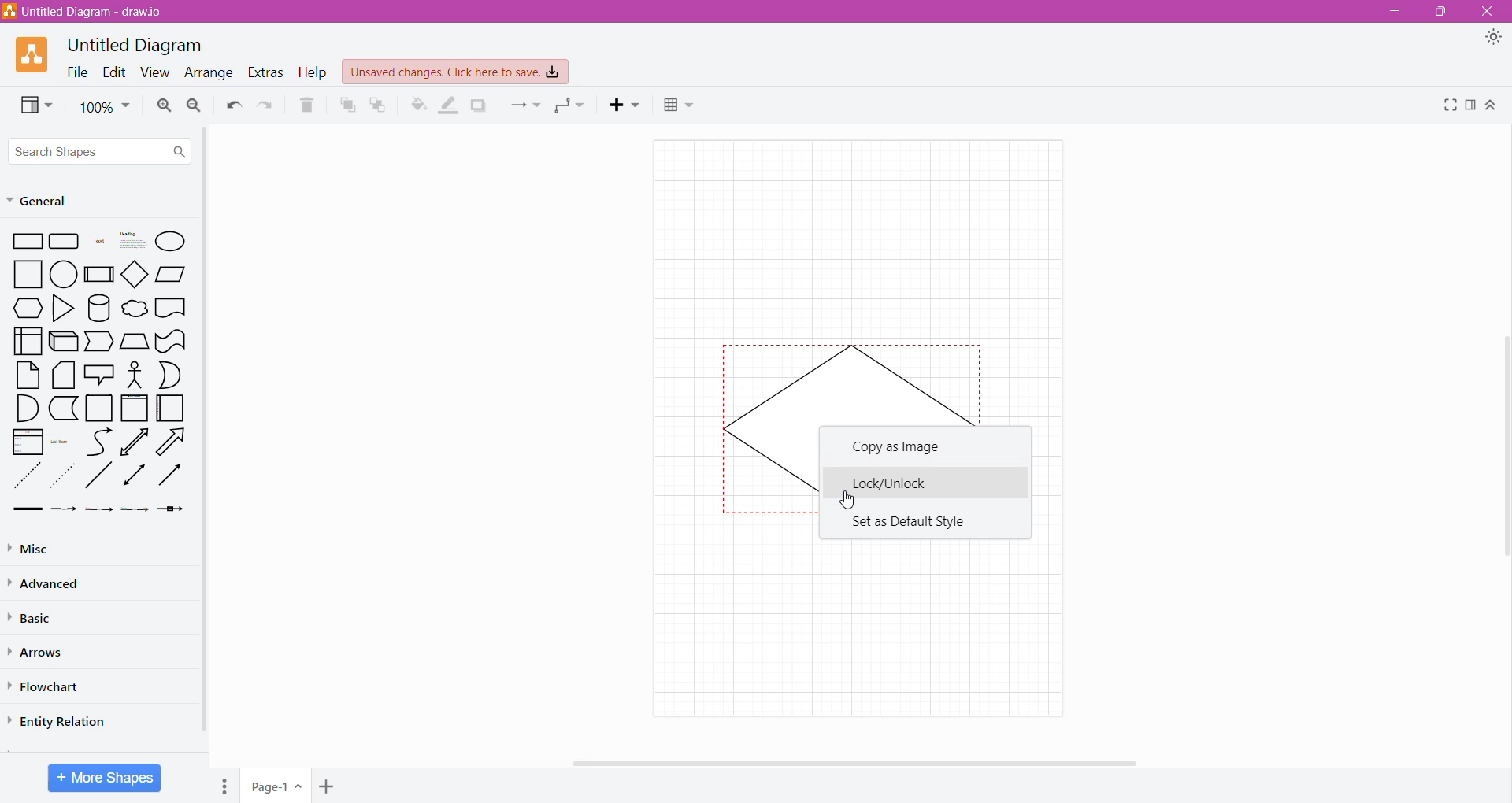  I want to click on Horizontal Scroll Bar, so click(858, 761).